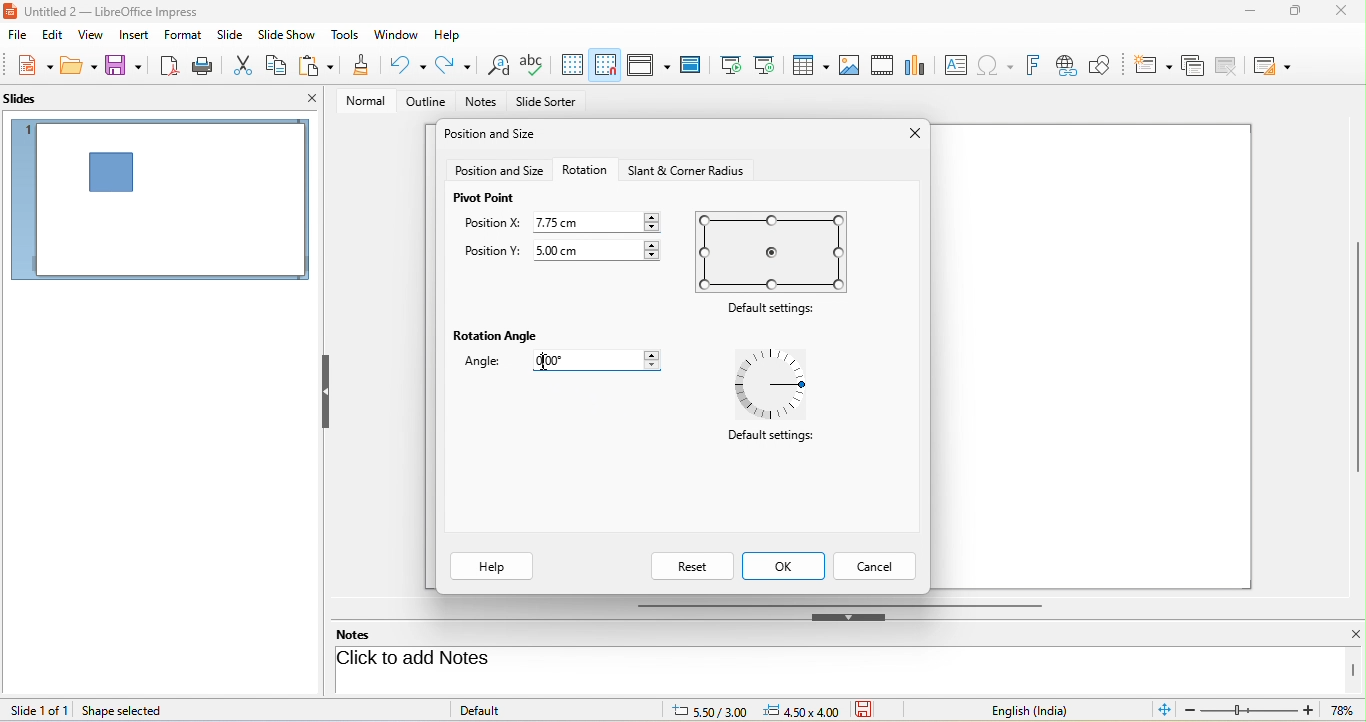  What do you see at coordinates (601, 248) in the screenshot?
I see `5.00 cm` at bounding box center [601, 248].